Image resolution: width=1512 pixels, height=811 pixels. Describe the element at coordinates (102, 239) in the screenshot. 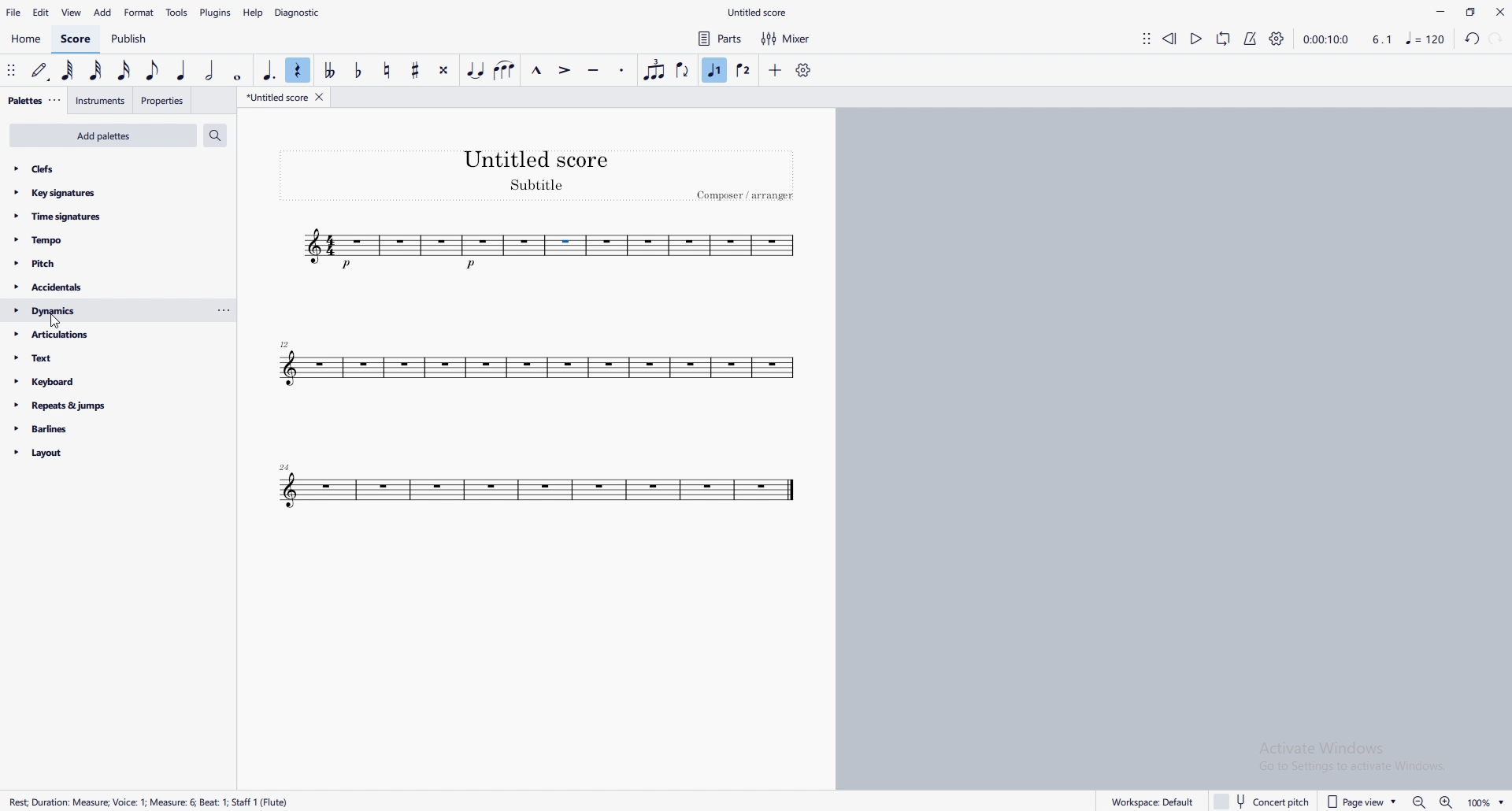

I see `tempo` at that location.